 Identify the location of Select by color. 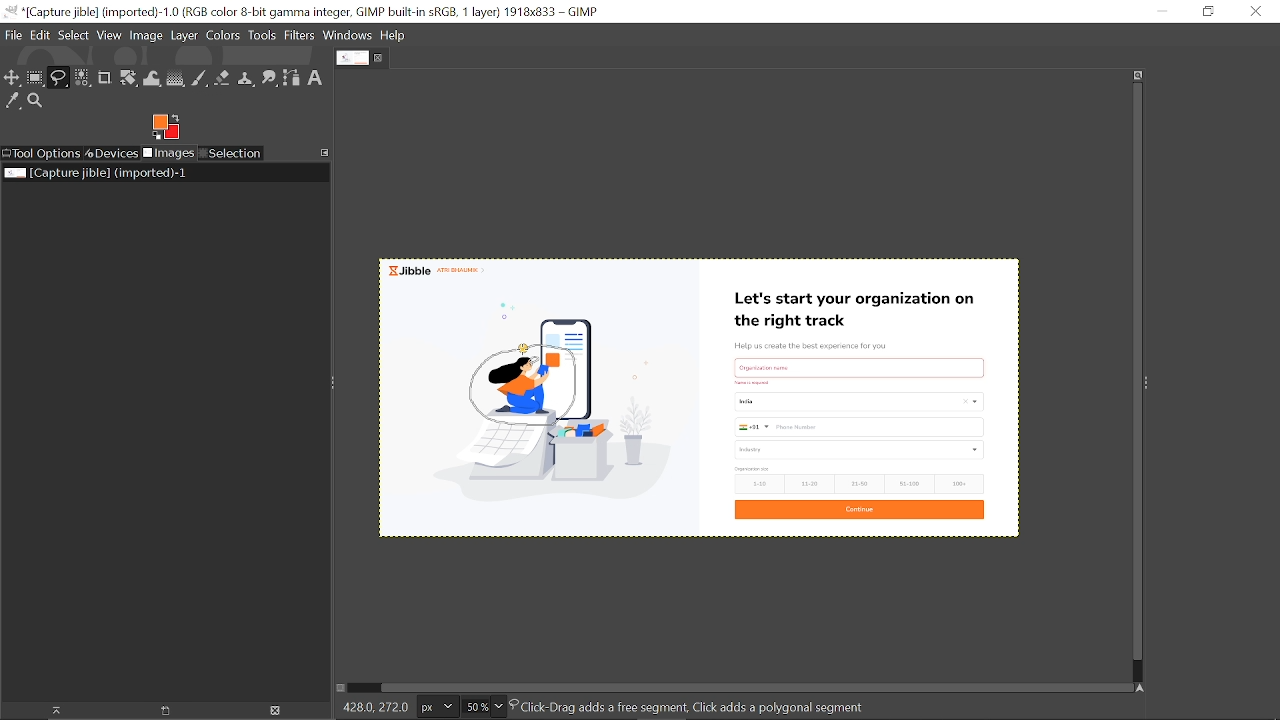
(82, 79).